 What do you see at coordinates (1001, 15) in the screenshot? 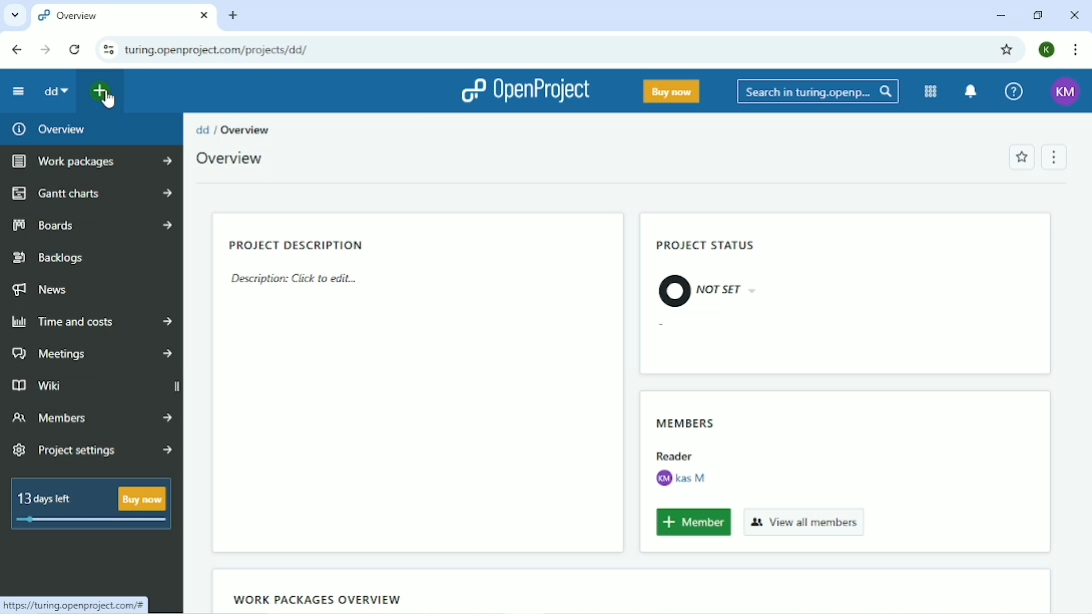
I see `Minimize` at bounding box center [1001, 15].